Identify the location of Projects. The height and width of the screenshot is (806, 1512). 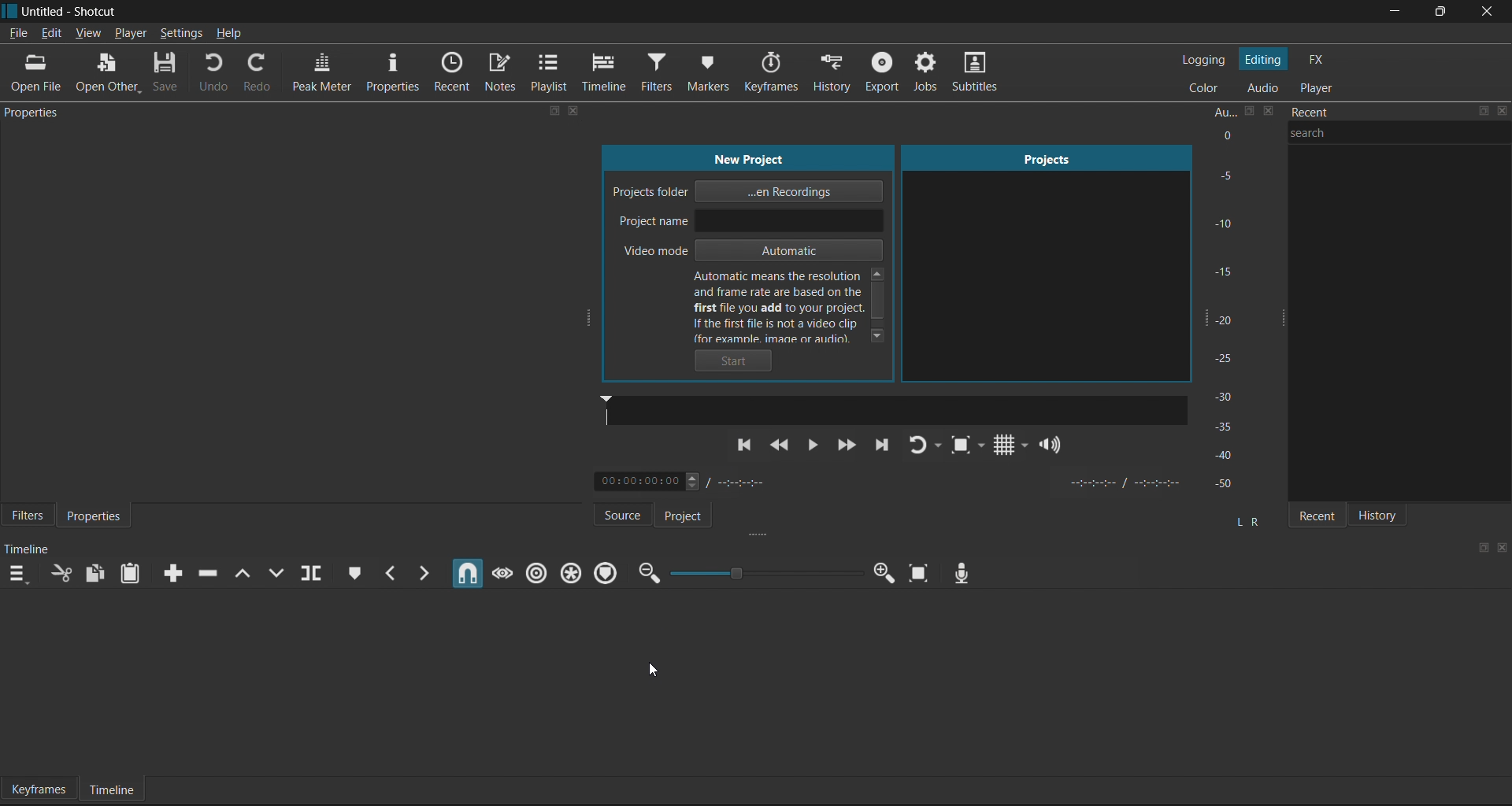
(1037, 260).